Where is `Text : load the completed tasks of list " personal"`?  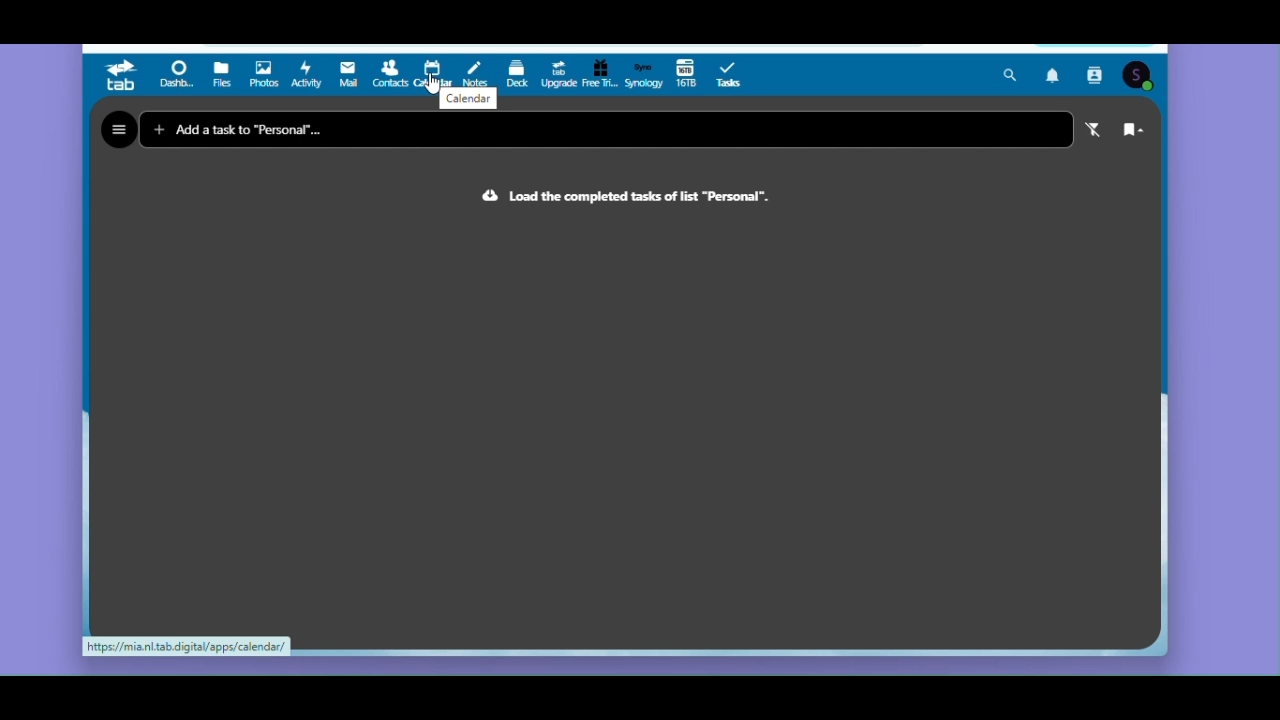
Text : load the completed tasks of list " personal" is located at coordinates (629, 201).